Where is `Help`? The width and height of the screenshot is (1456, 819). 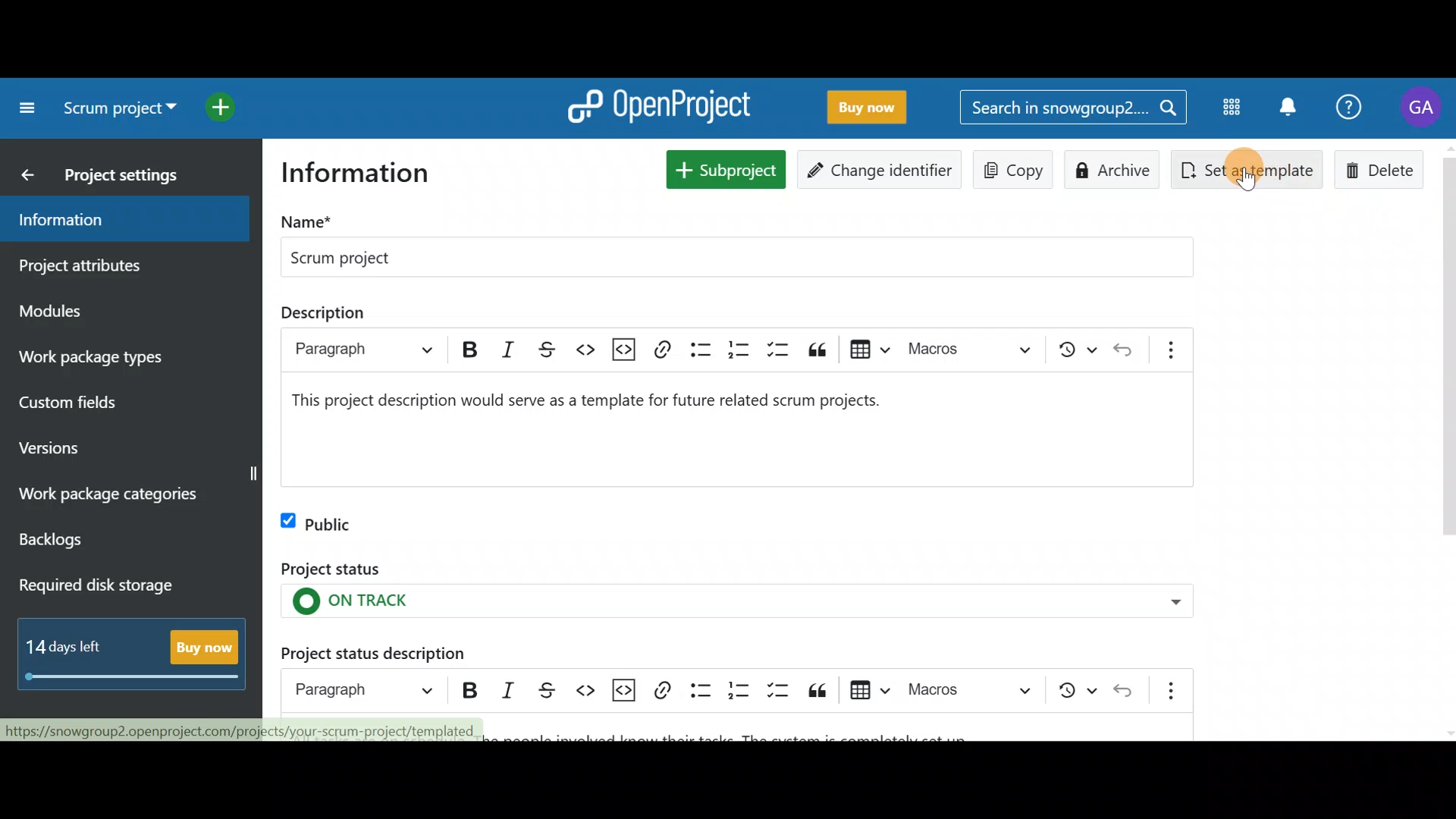
Help is located at coordinates (1351, 105).